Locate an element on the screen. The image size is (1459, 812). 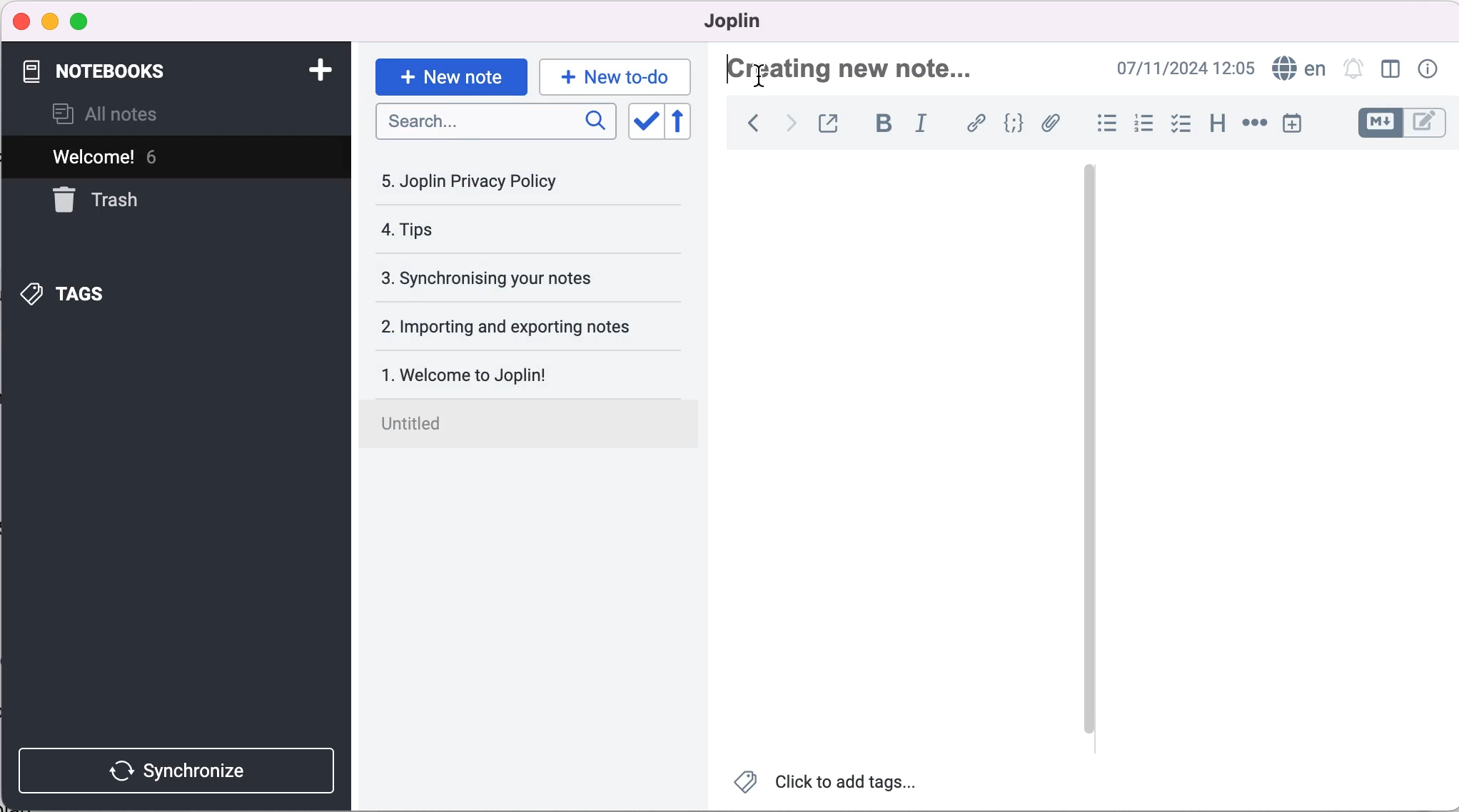
time and date is located at coordinates (1186, 69).